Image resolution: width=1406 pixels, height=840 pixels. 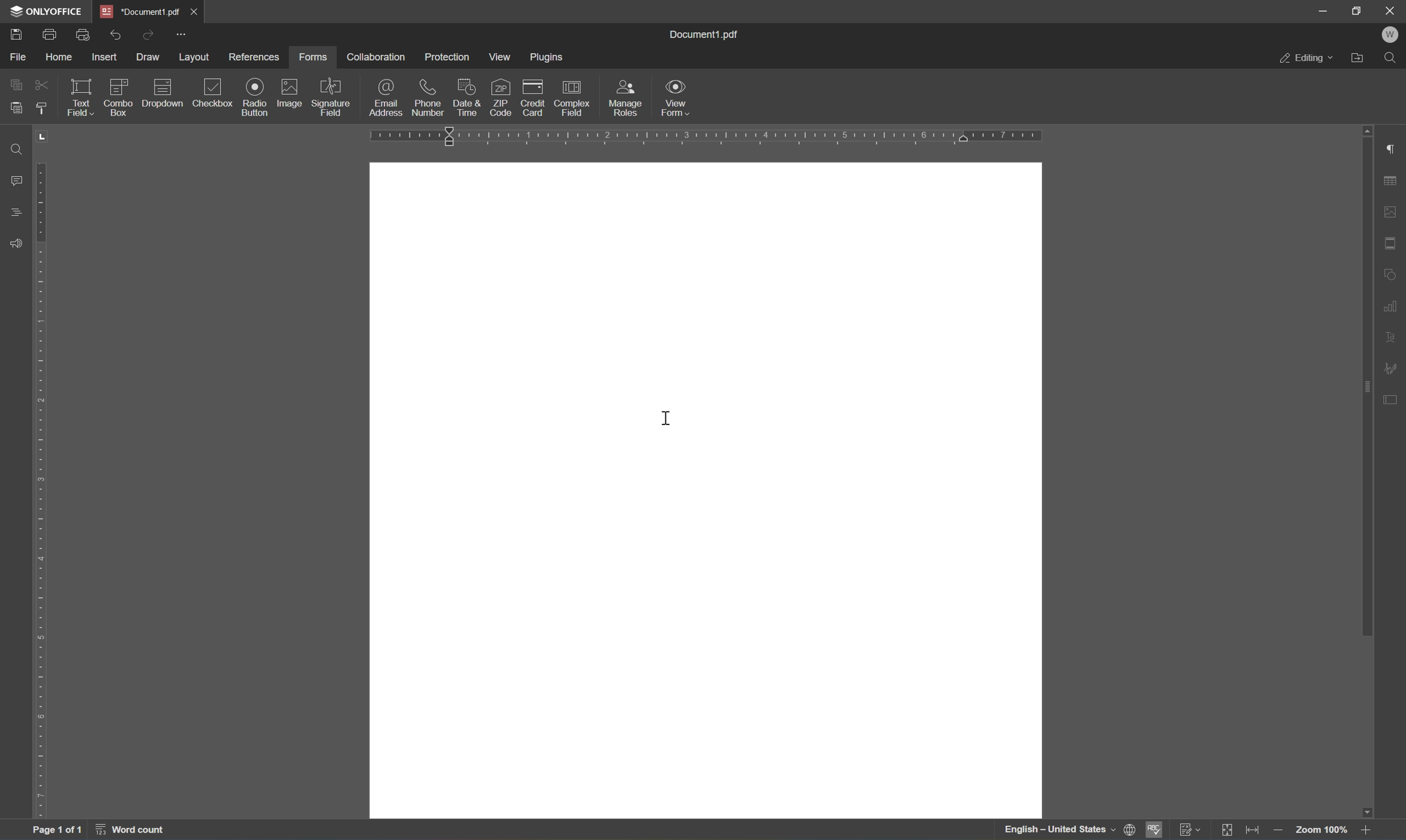 What do you see at coordinates (573, 98) in the screenshot?
I see `complex field` at bounding box center [573, 98].